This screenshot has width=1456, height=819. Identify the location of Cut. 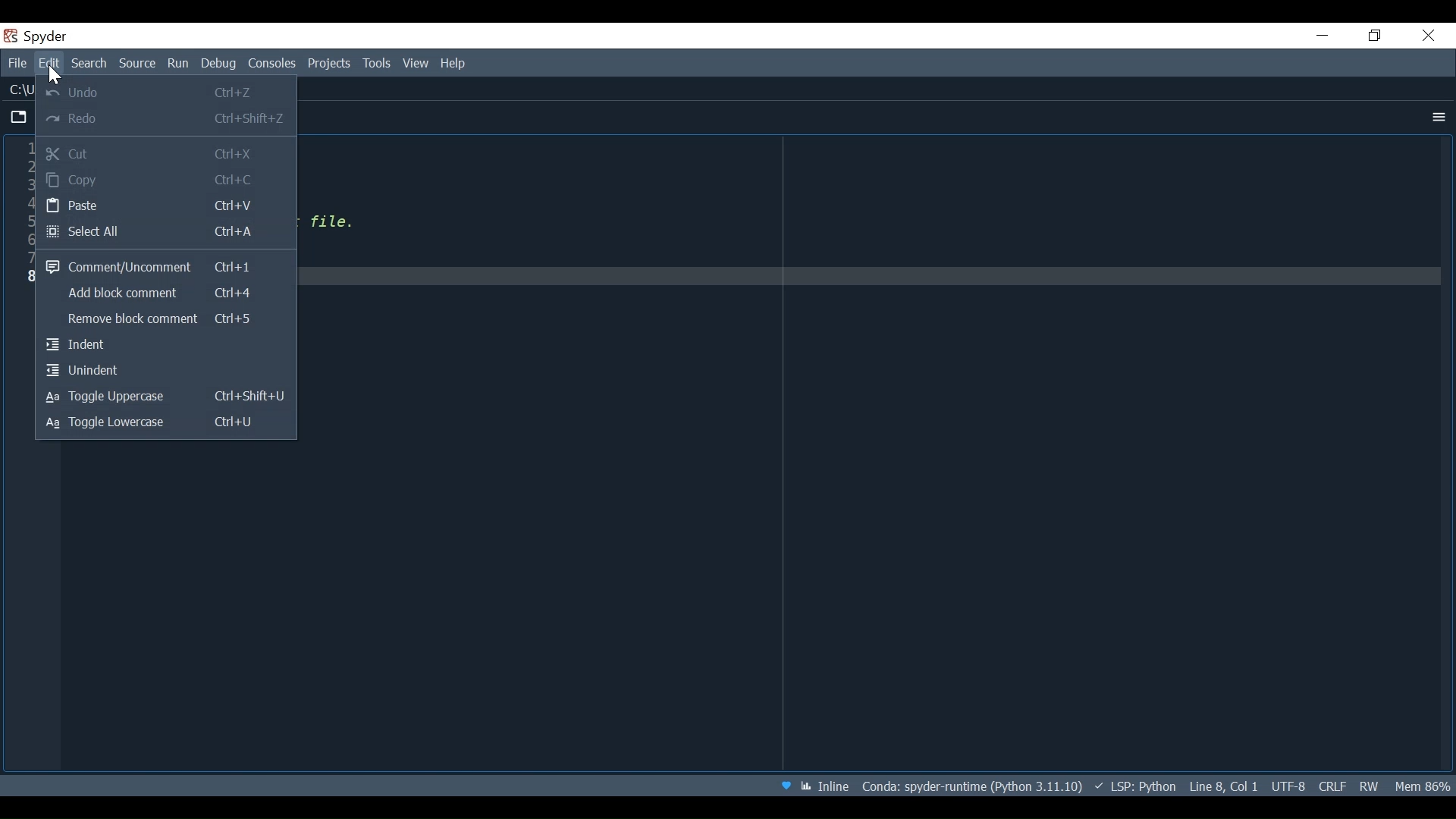
(103, 152).